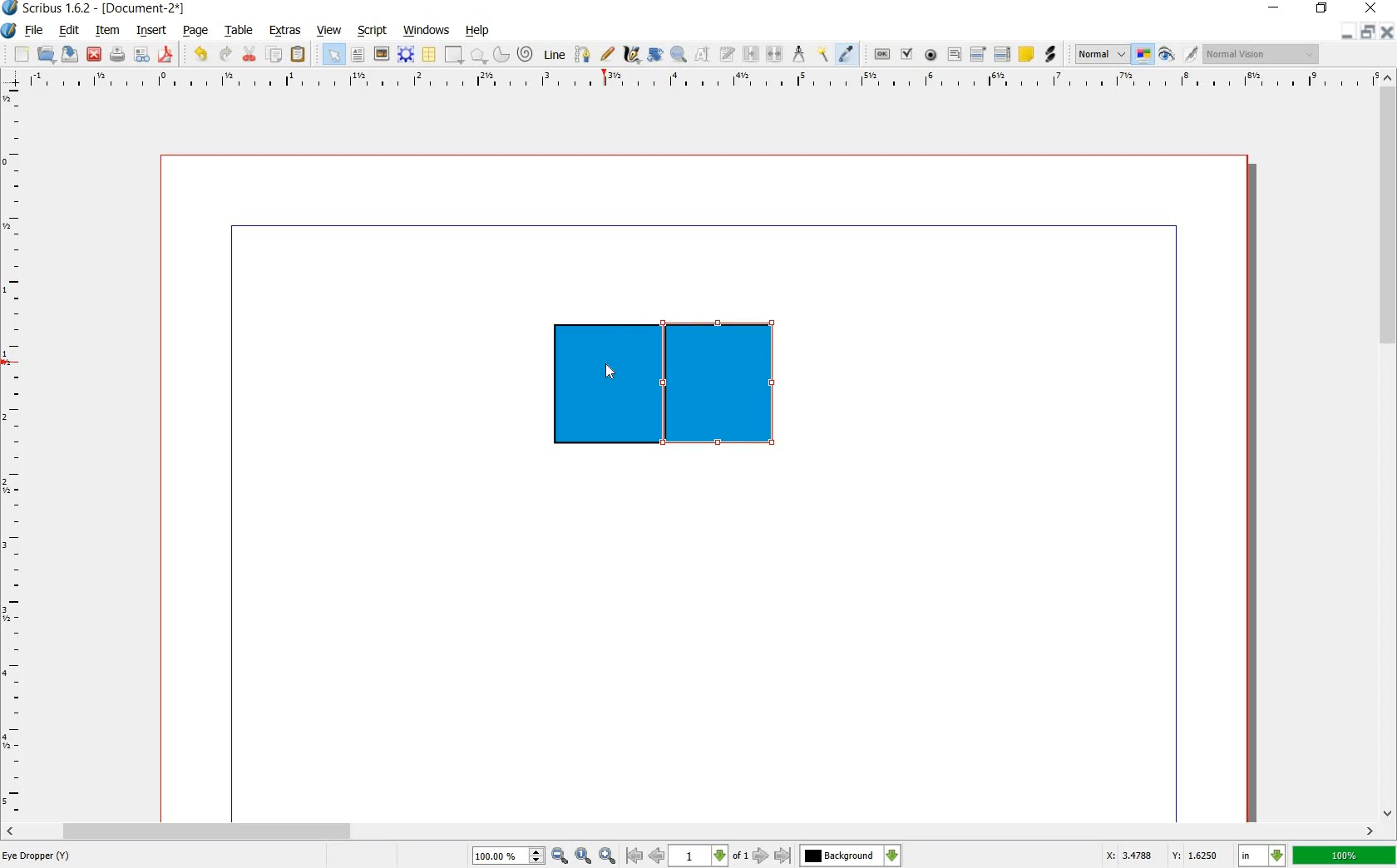 The image size is (1397, 868). What do you see at coordinates (1161, 855) in the screenshot?
I see `X: 3.4788 Y: 16250` at bounding box center [1161, 855].